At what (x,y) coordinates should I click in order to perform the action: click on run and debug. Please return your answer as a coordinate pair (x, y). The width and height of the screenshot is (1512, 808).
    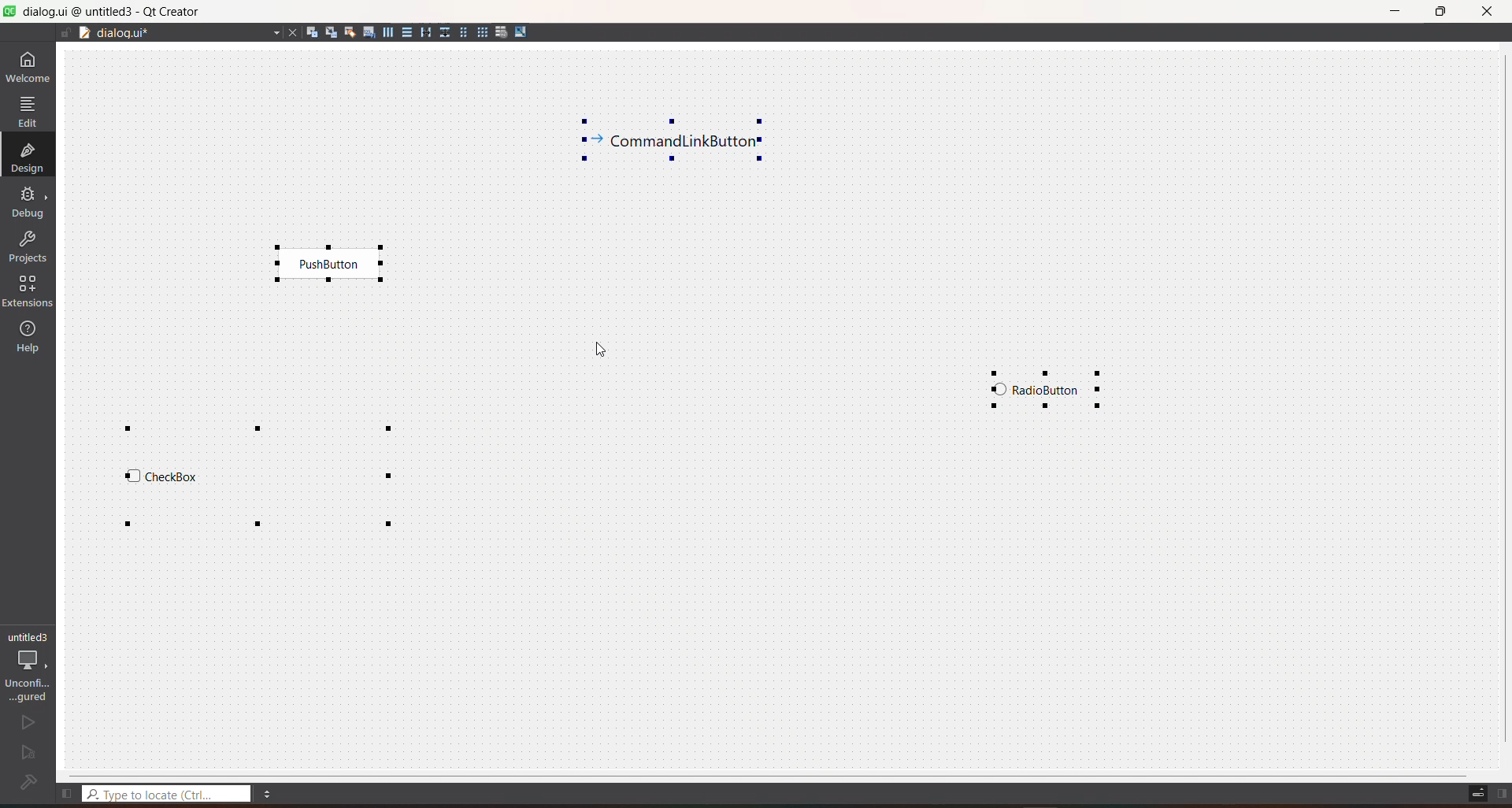
    Looking at the image, I should click on (28, 754).